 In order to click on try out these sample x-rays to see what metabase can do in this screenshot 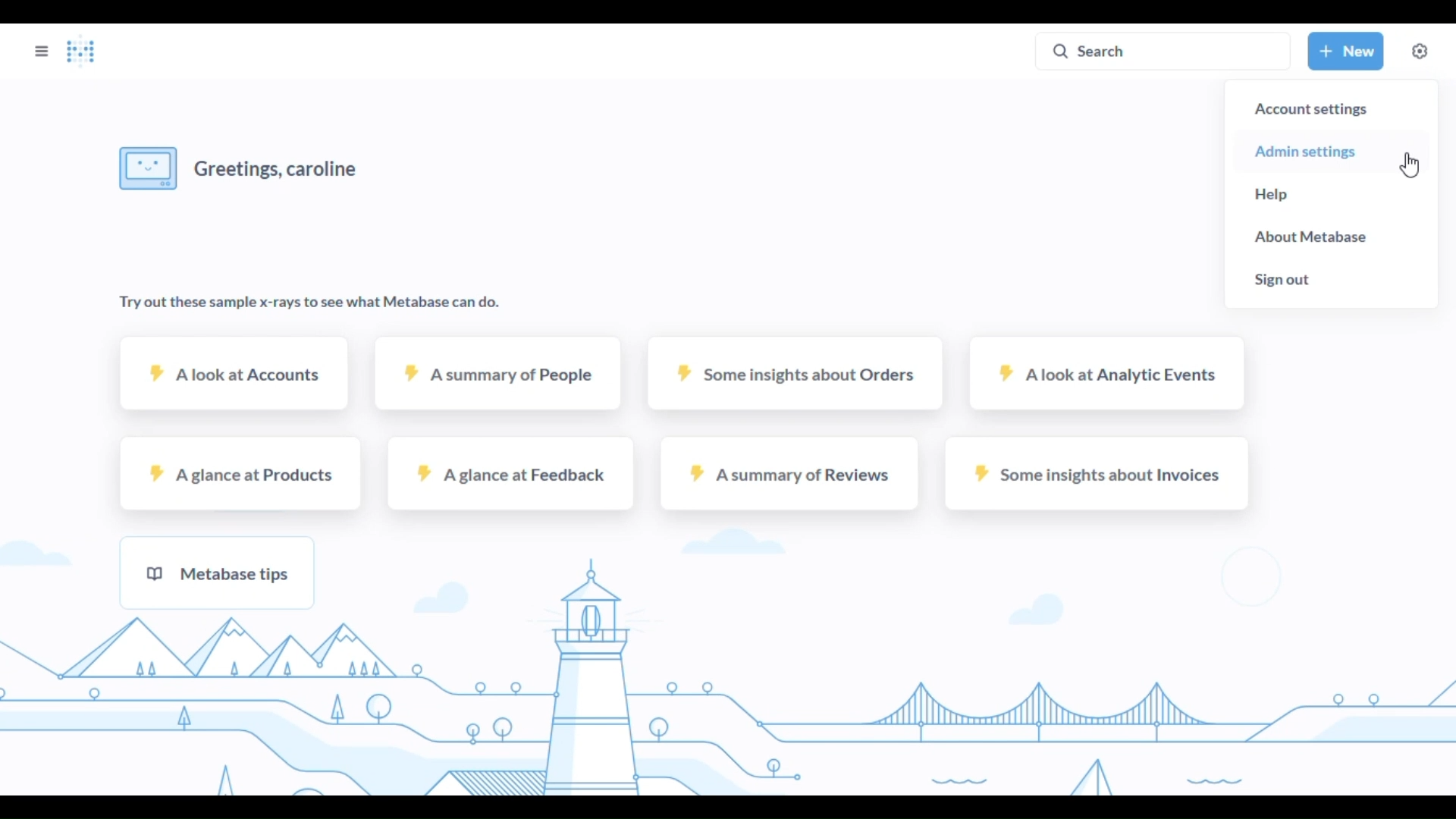, I will do `click(309, 304)`.